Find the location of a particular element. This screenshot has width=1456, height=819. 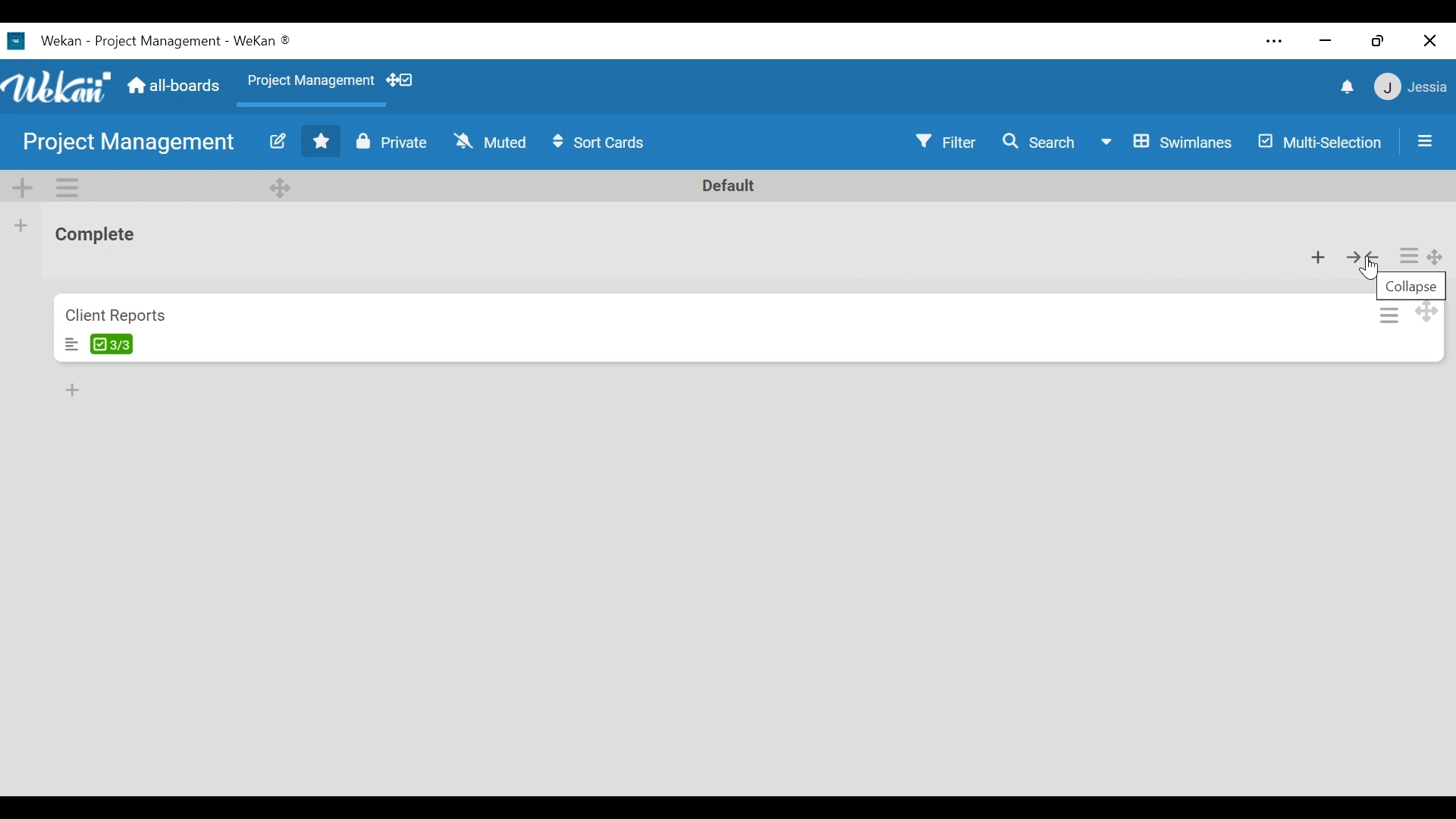

Board Title is located at coordinates (130, 142).